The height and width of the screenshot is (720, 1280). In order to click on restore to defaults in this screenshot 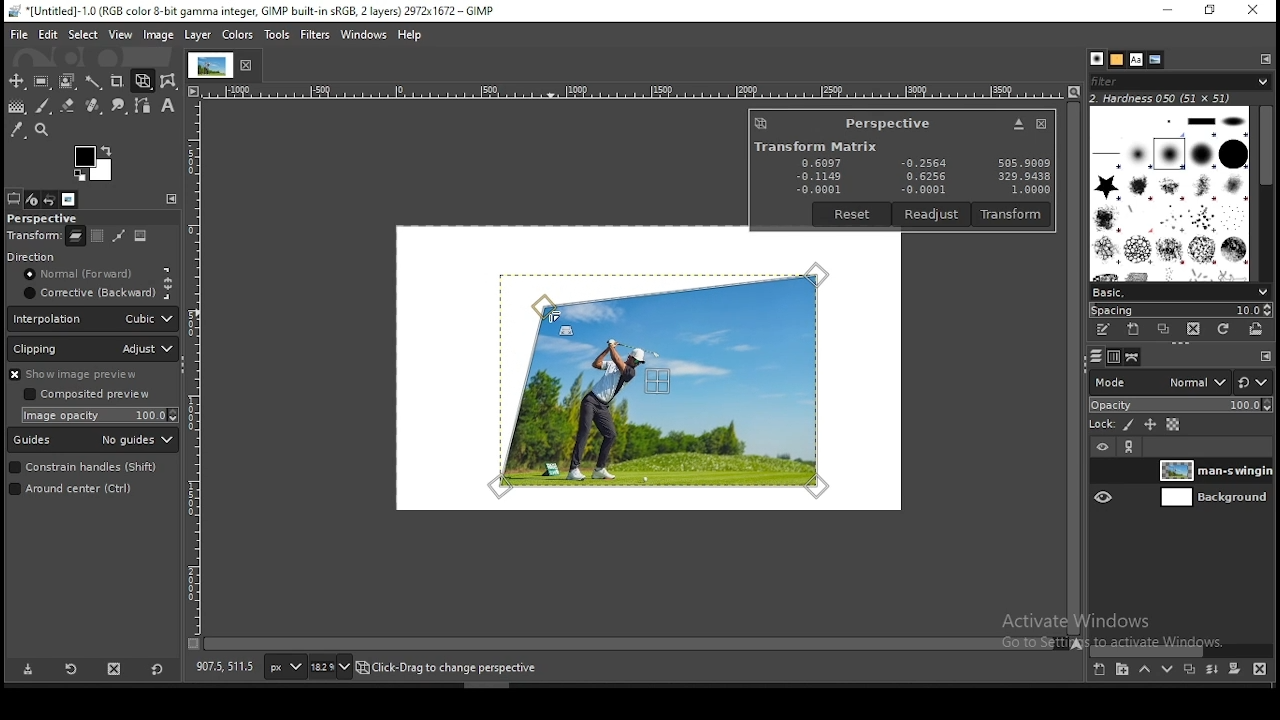, I will do `click(156, 668)`.